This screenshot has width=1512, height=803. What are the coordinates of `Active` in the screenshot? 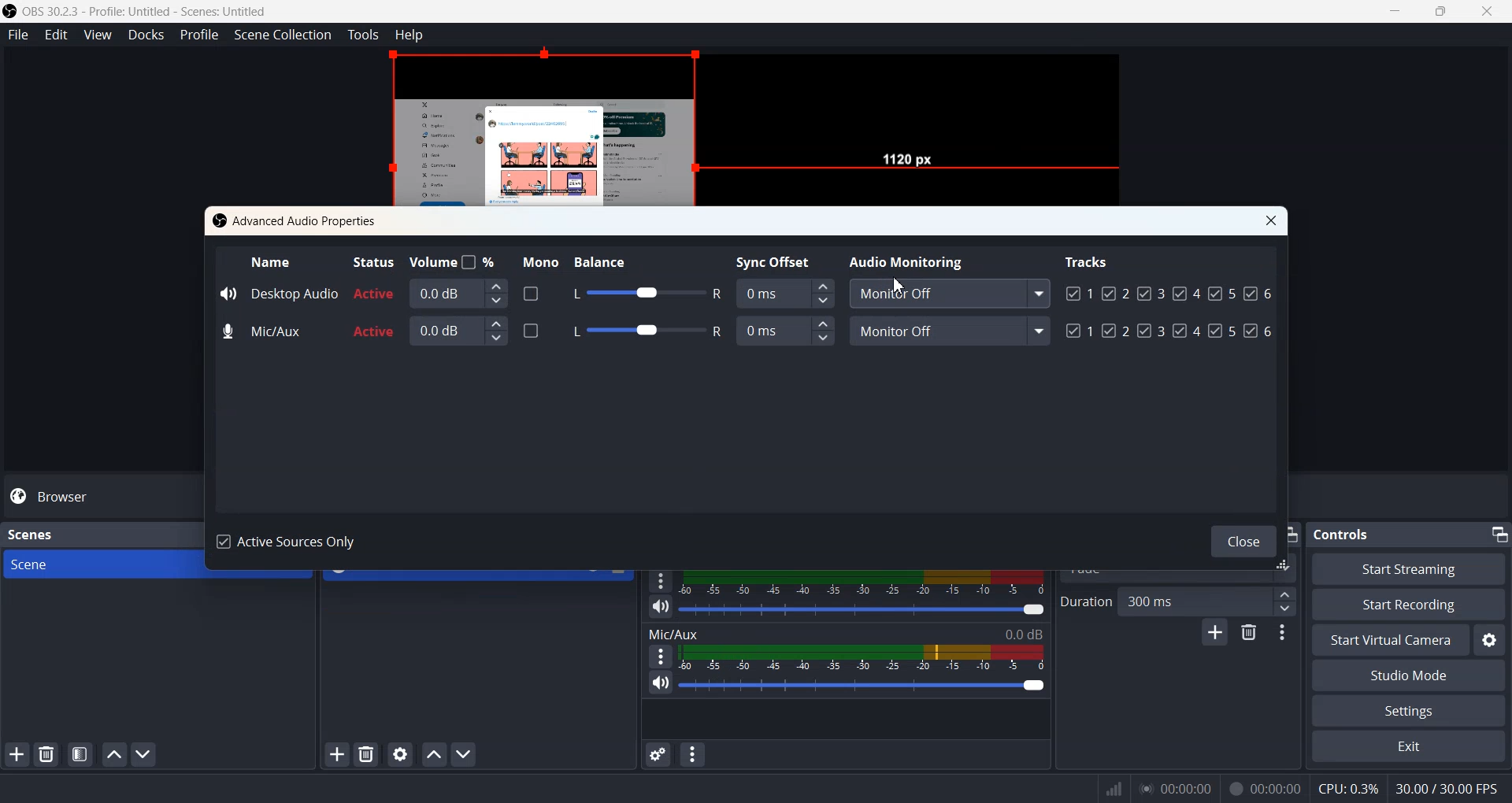 It's located at (374, 313).